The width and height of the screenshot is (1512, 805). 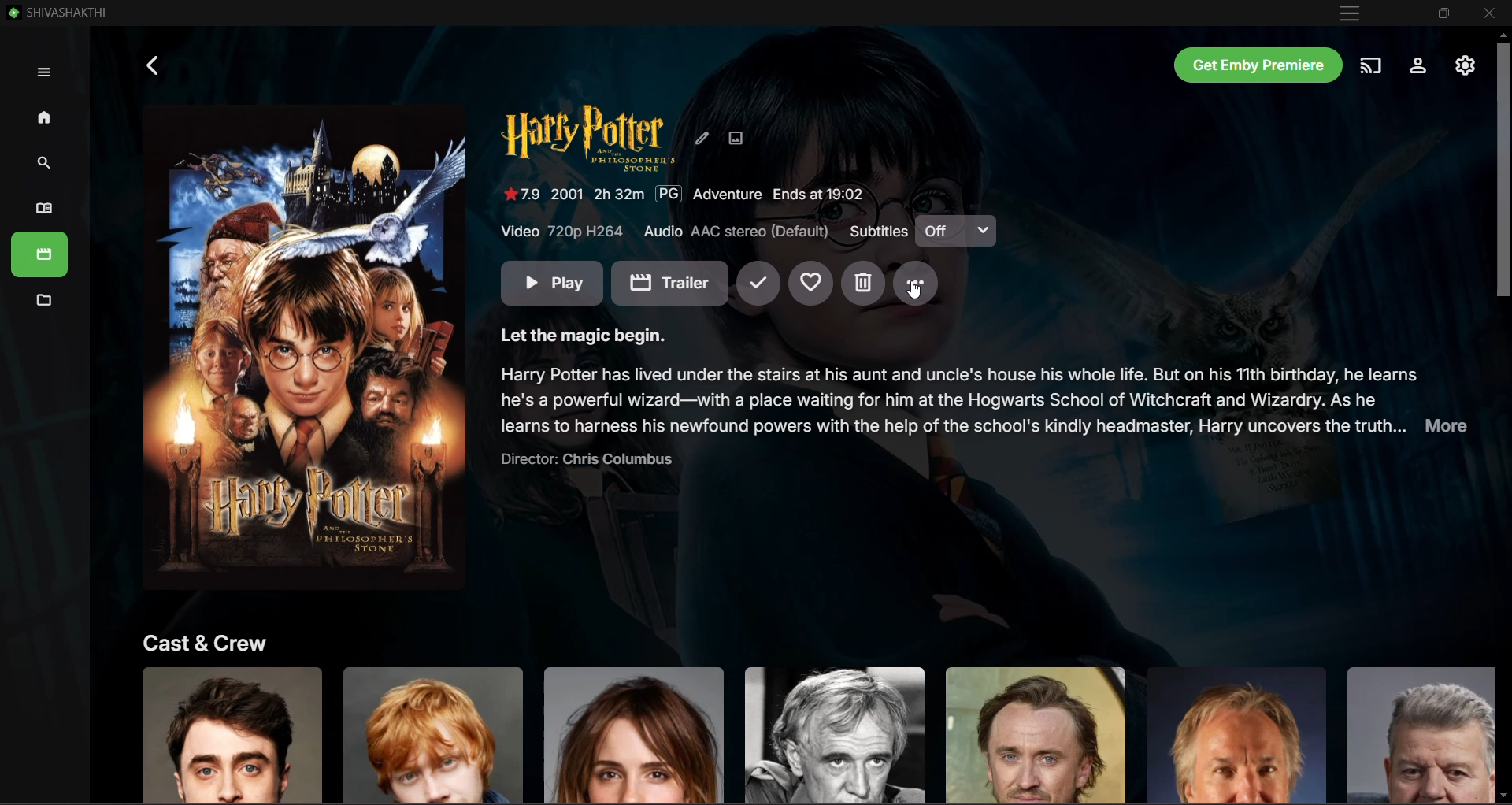 What do you see at coordinates (833, 734) in the screenshot?
I see `Click to know more about actor` at bounding box center [833, 734].